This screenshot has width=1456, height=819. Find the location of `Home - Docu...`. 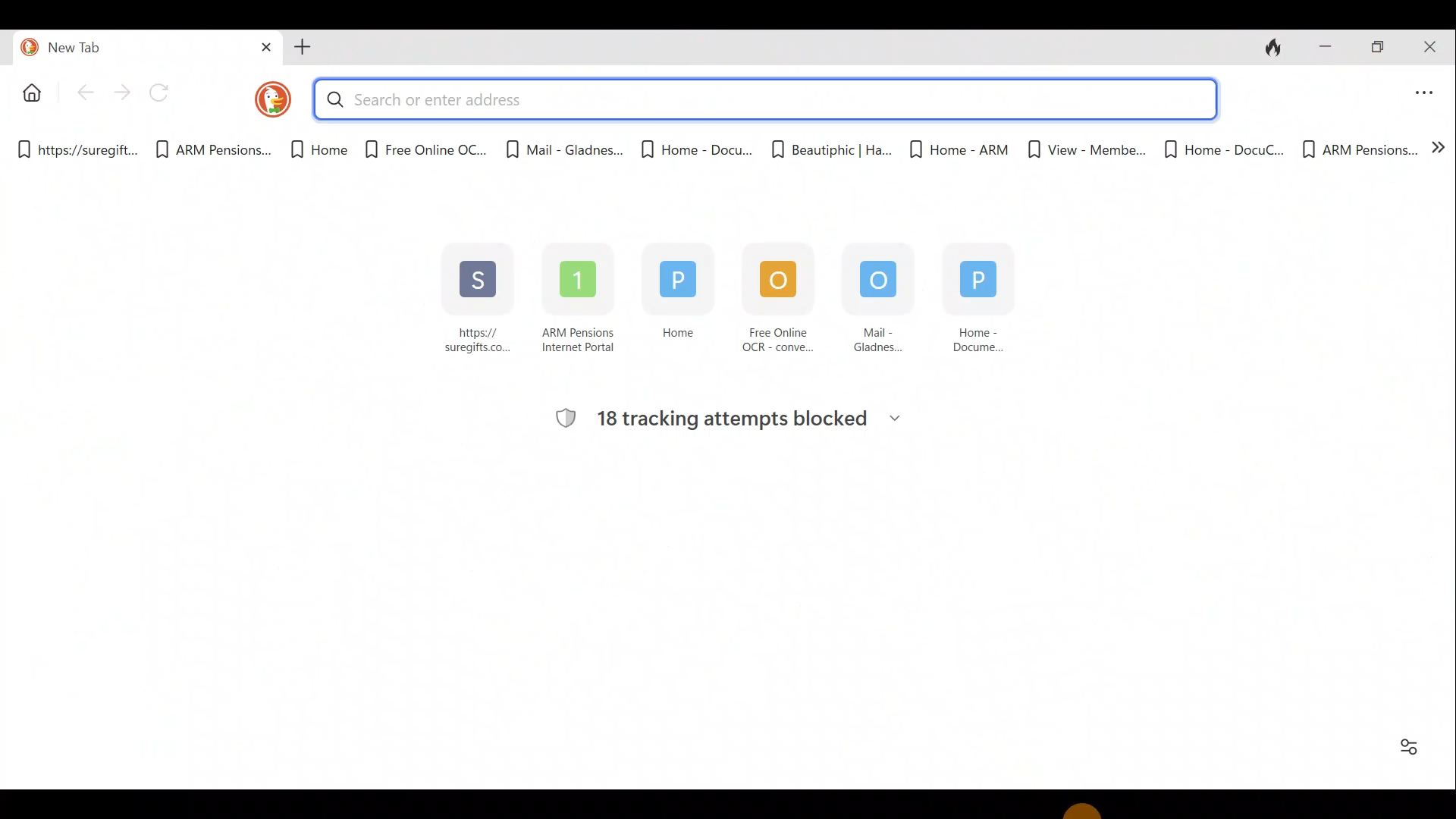

Home - Docu... is located at coordinates (695, 145).